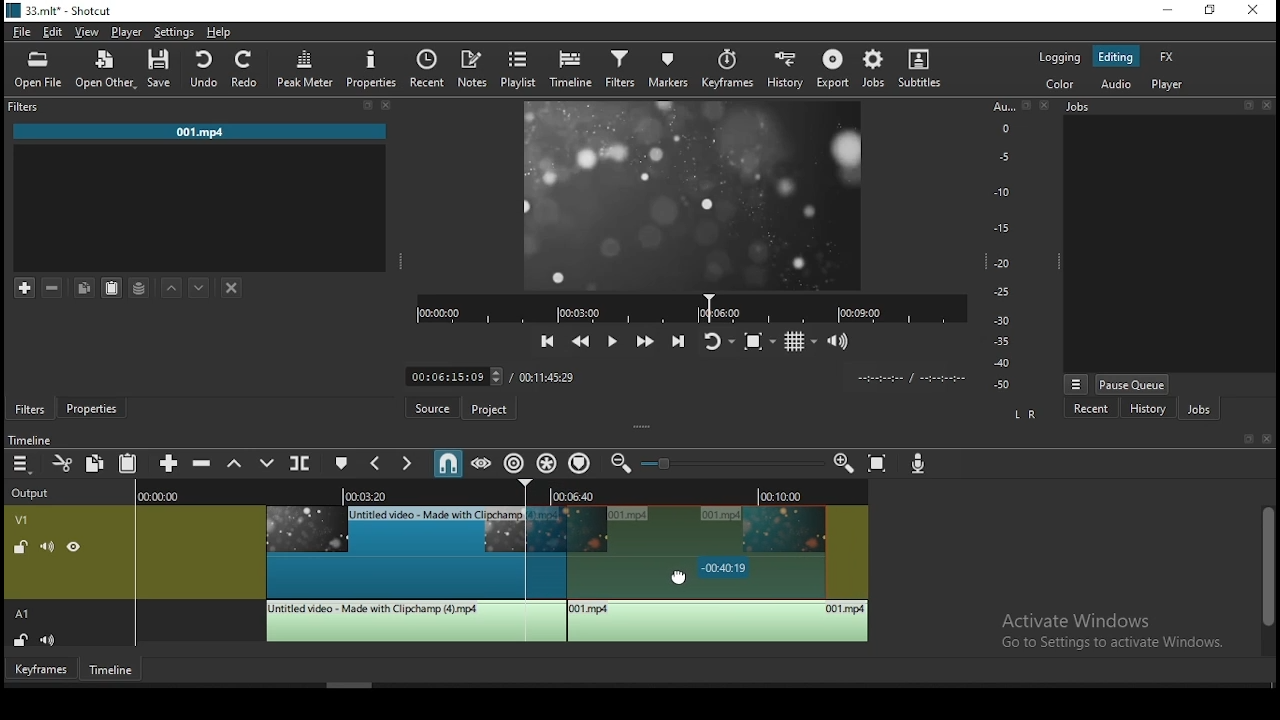  Describe the element at coordinates (517, 67) in the screenshot. I see `playlist` at that location.